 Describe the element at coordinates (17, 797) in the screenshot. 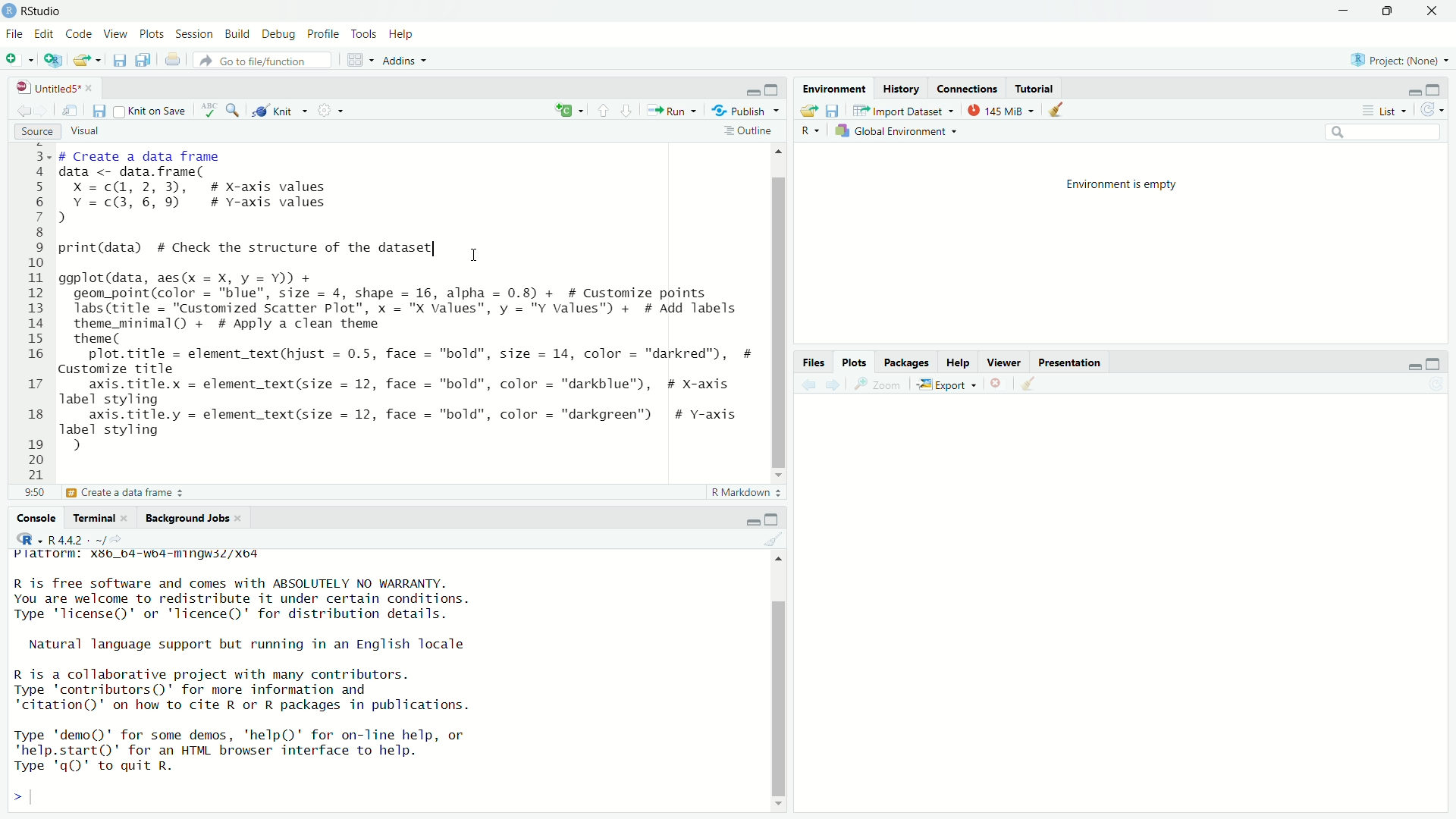

I see `> ` at that location.